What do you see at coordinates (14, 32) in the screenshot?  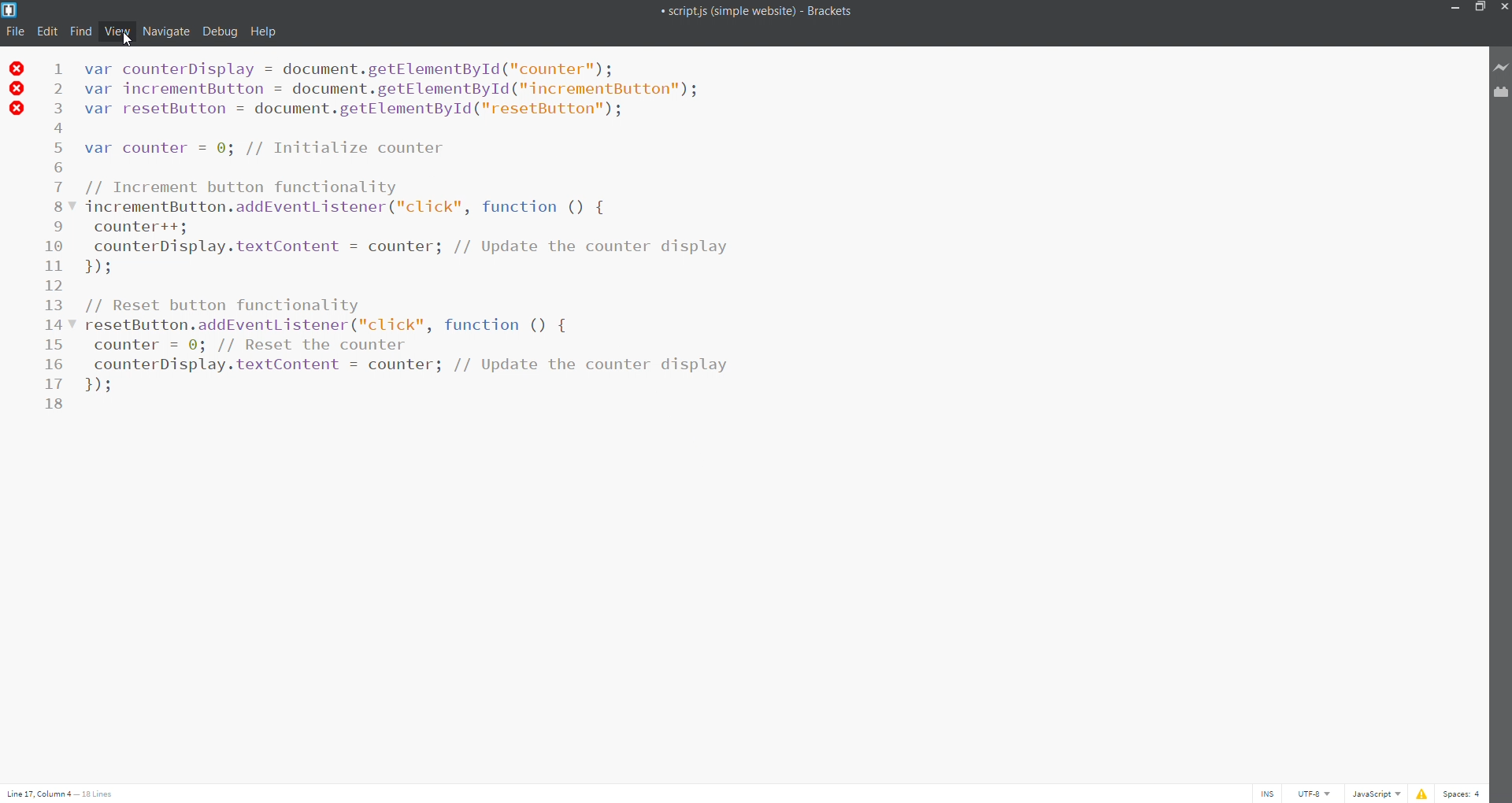 I see `file` at bounding box center [14, 32].